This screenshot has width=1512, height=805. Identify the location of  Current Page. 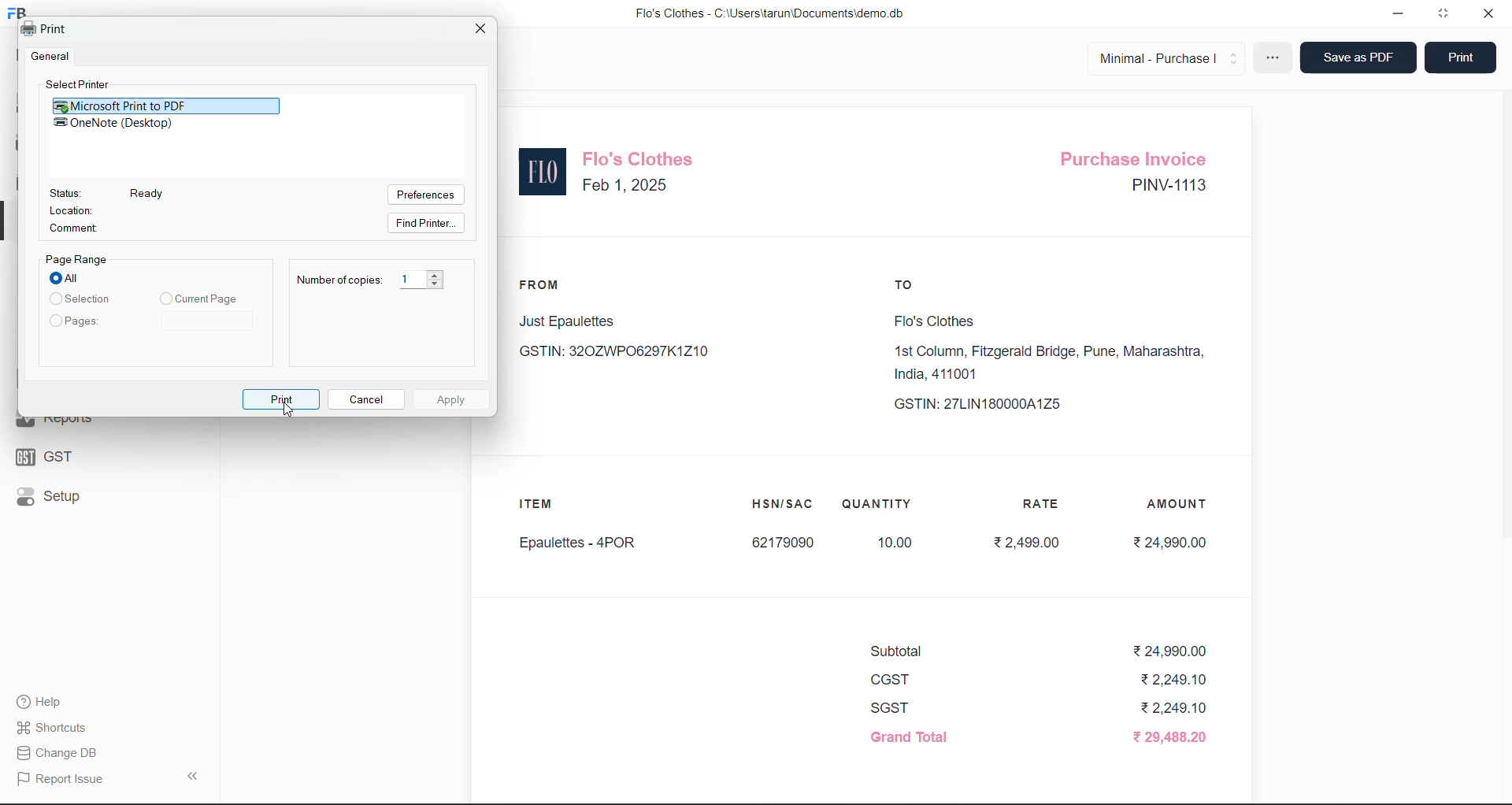
(202, 300).